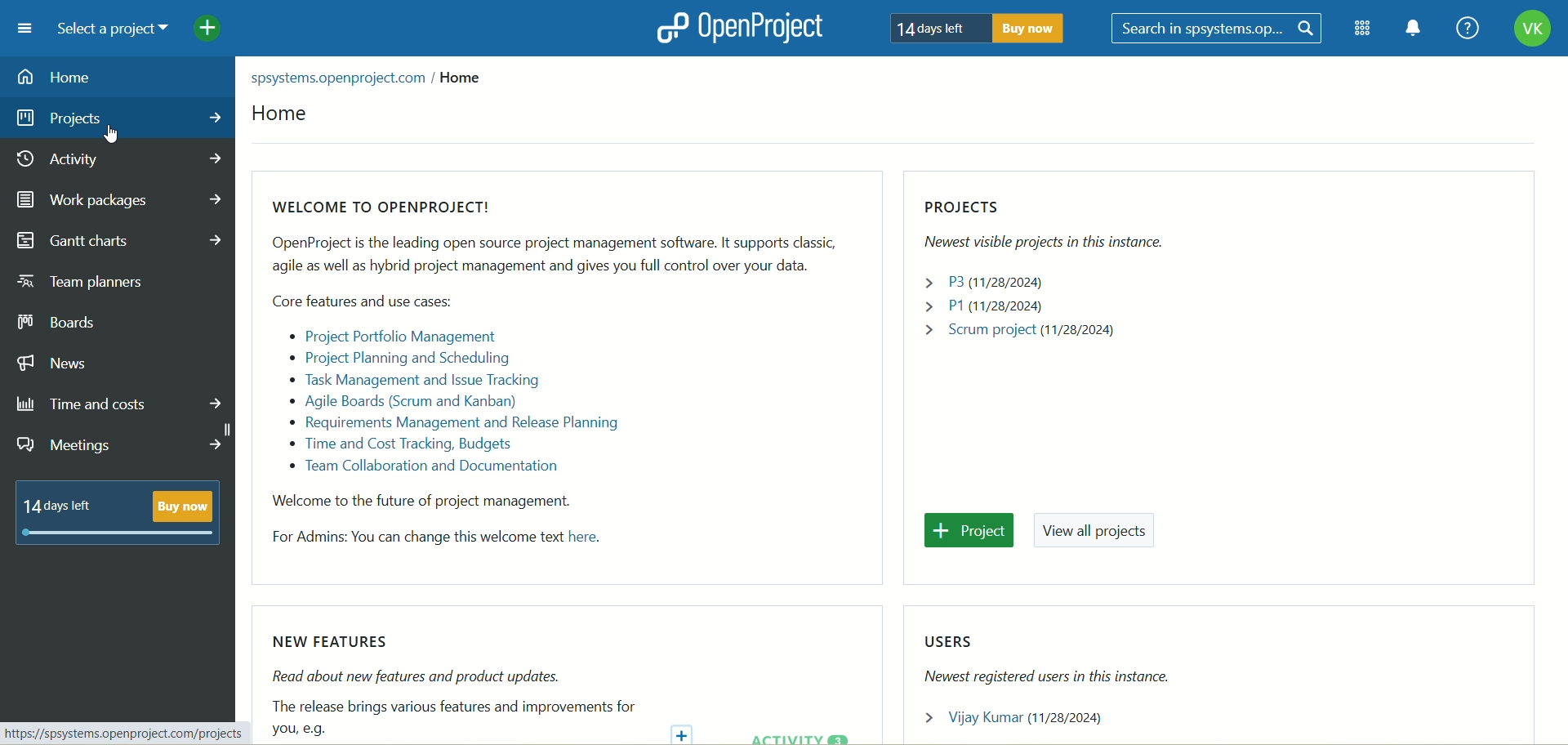 The image size is (1568, 745). I want to click on search, so click(1218, 29).